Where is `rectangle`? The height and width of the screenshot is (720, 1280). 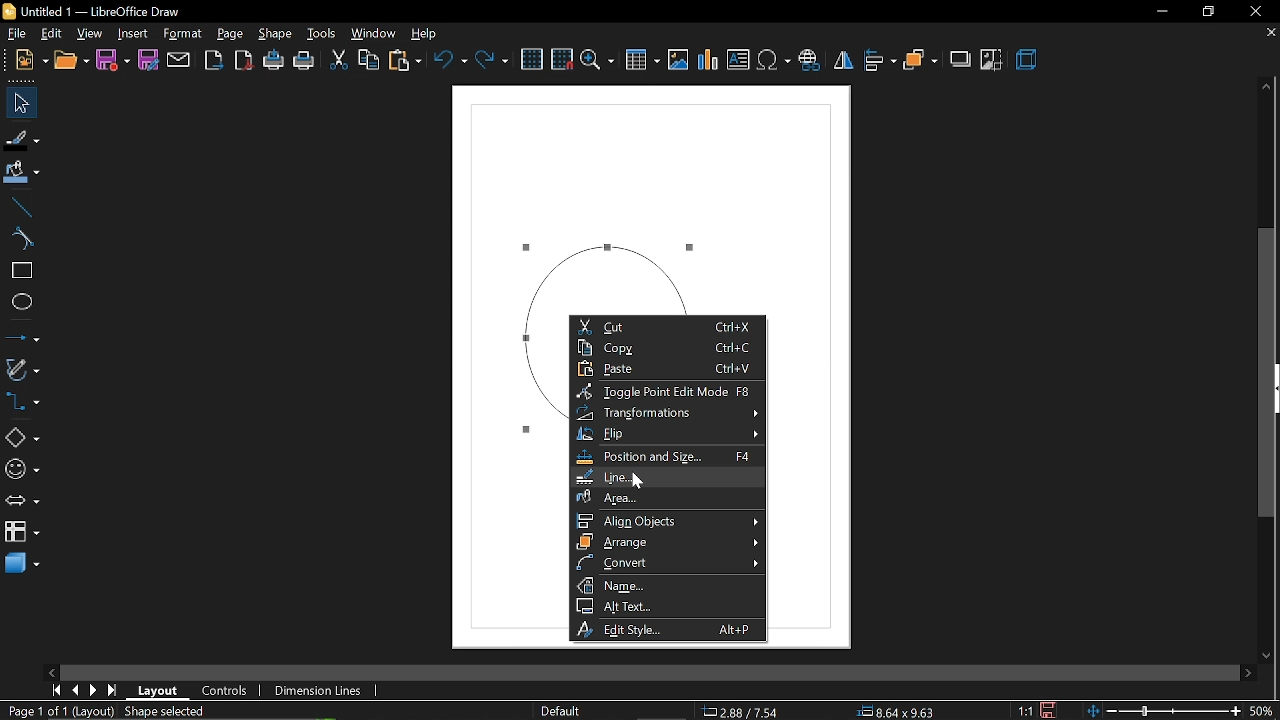
rectangle is located at coordinates (21, 272).